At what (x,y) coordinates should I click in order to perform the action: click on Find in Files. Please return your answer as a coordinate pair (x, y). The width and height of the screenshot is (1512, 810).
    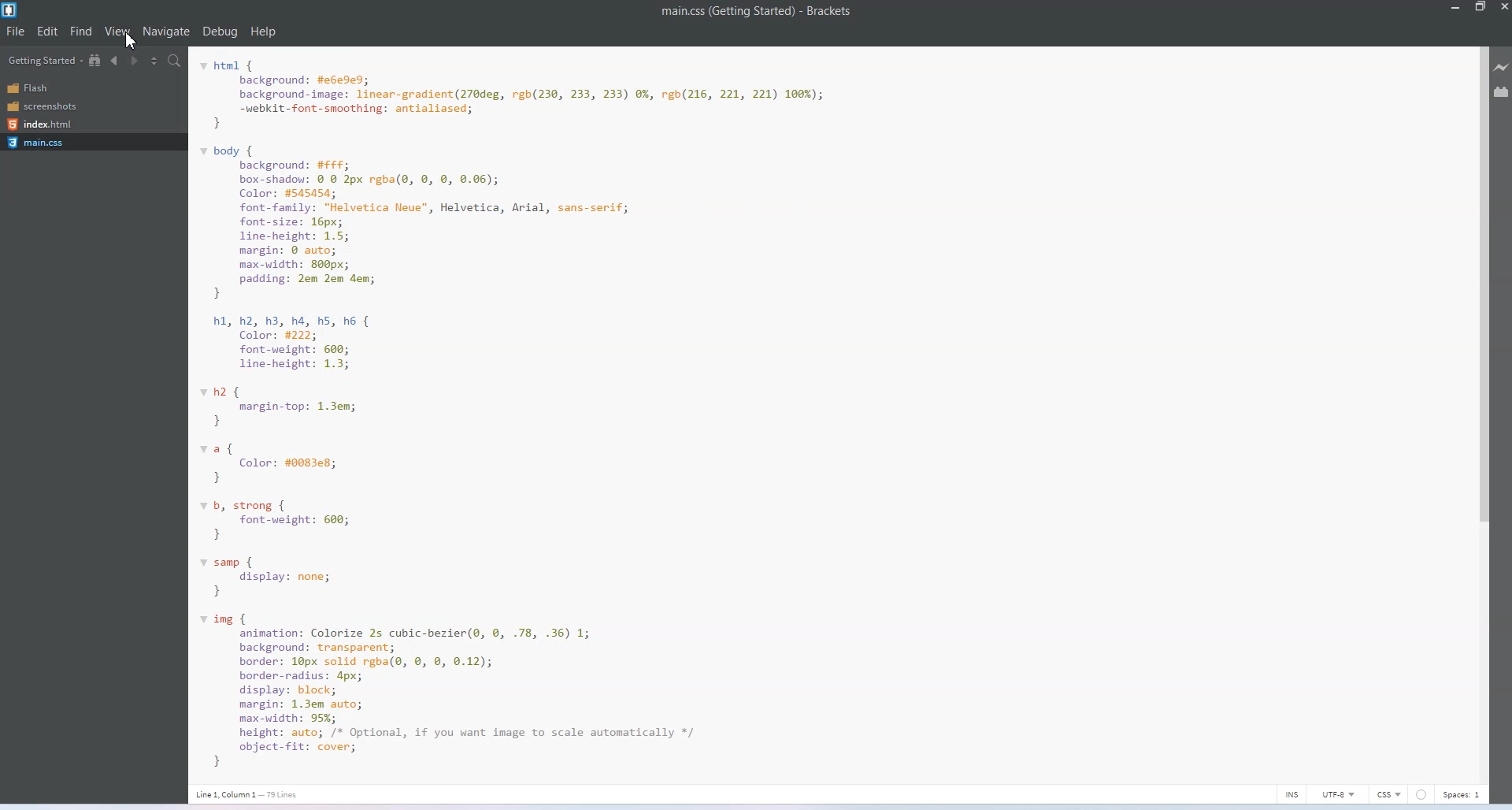
    Looking at the image, I should click on (176, 61).